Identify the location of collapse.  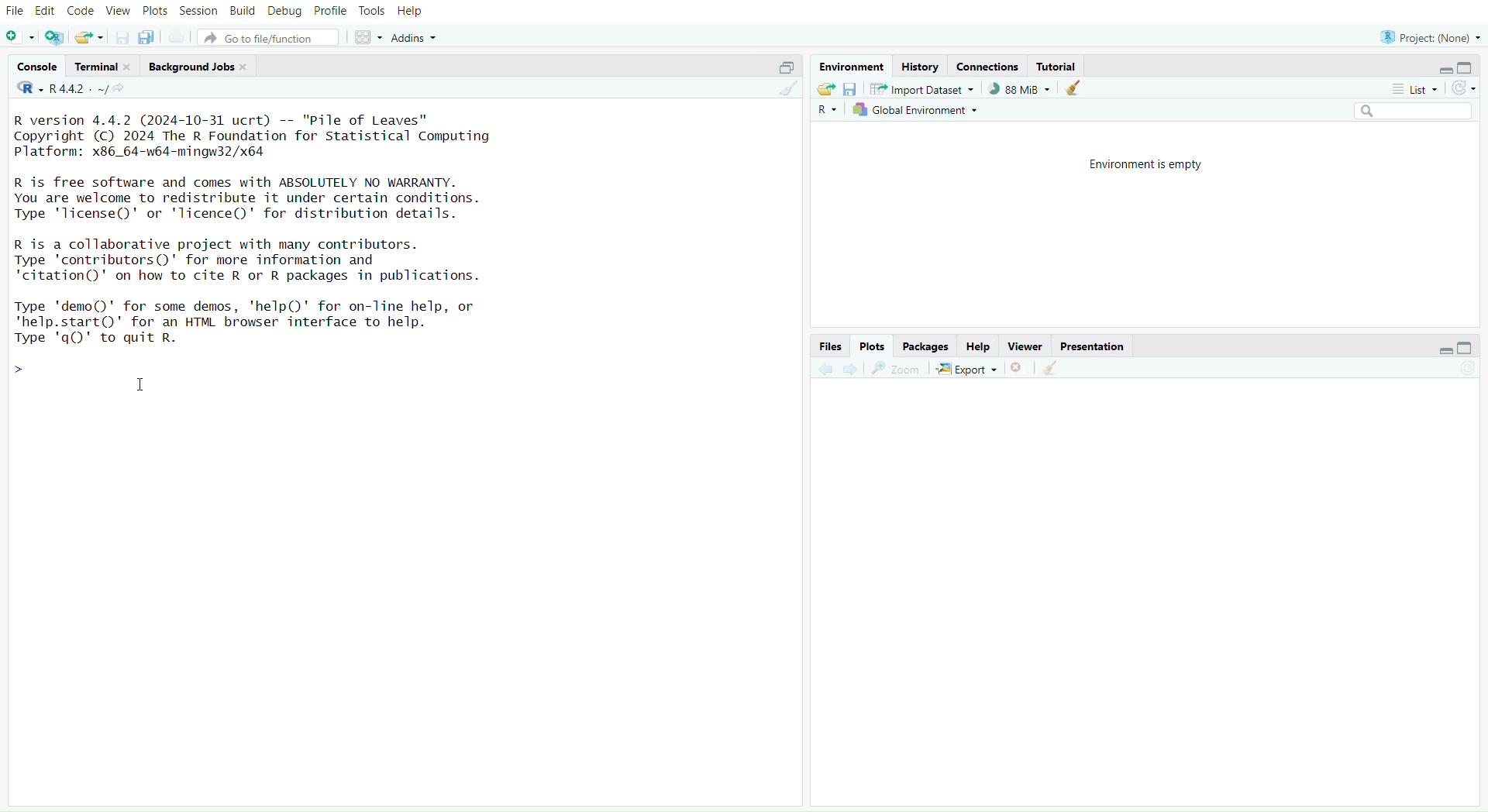
(1469, 68).